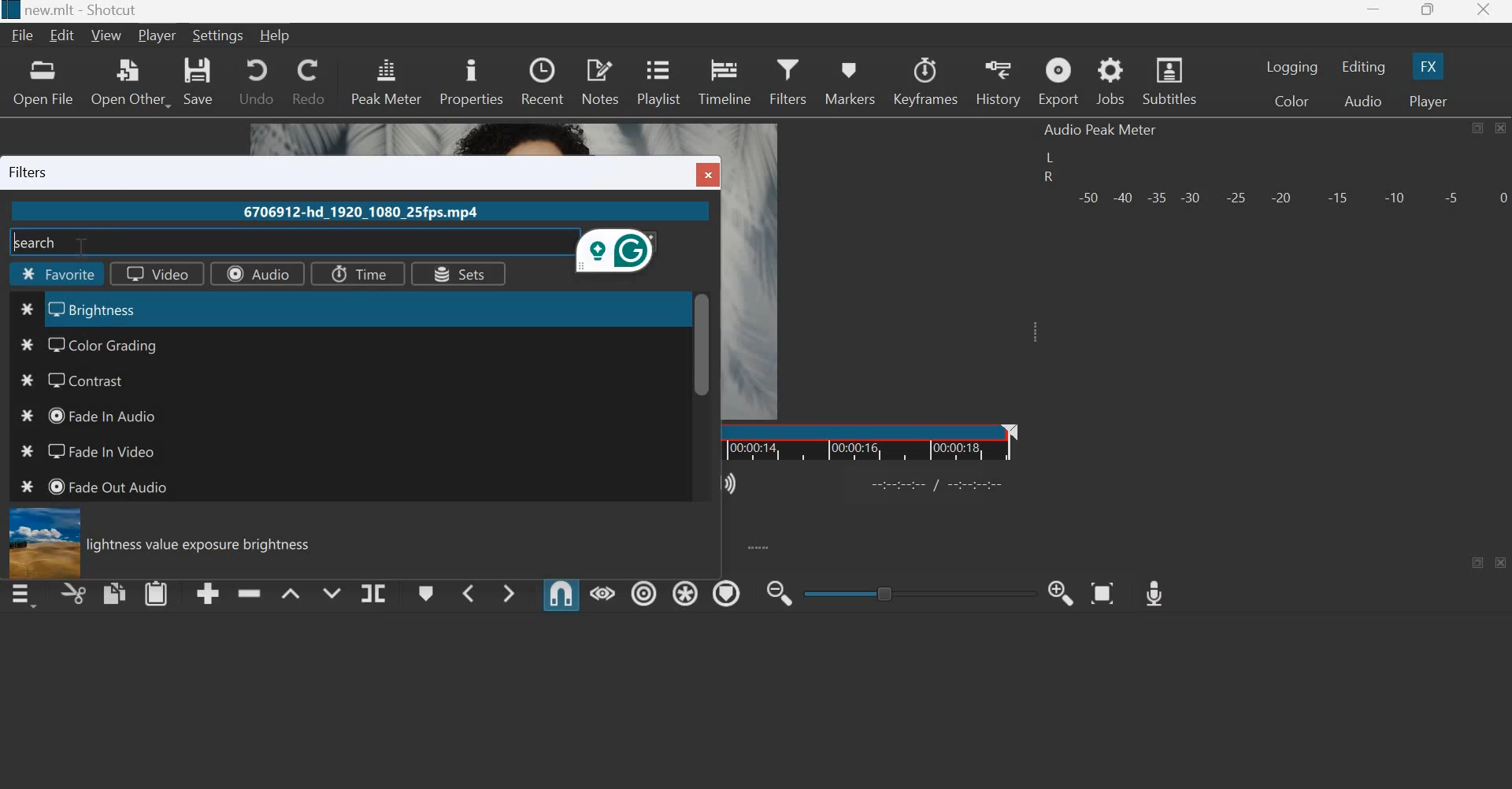 The height and width of the screenshot is (789, 1512). I want to click on Color, so click(1295, 102).